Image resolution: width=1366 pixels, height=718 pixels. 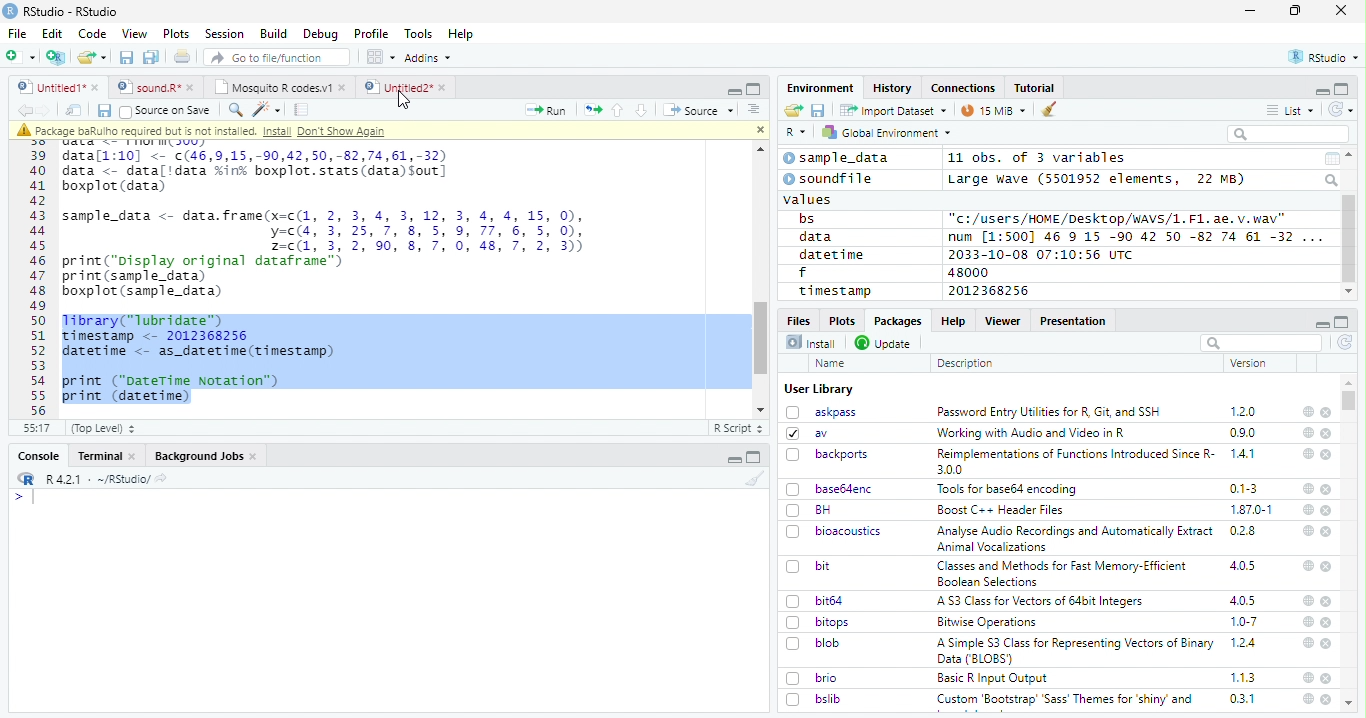 What do you see at coordinates (813, 643) in the screenshot?
I see `blob` at bounding box center [813, 643].